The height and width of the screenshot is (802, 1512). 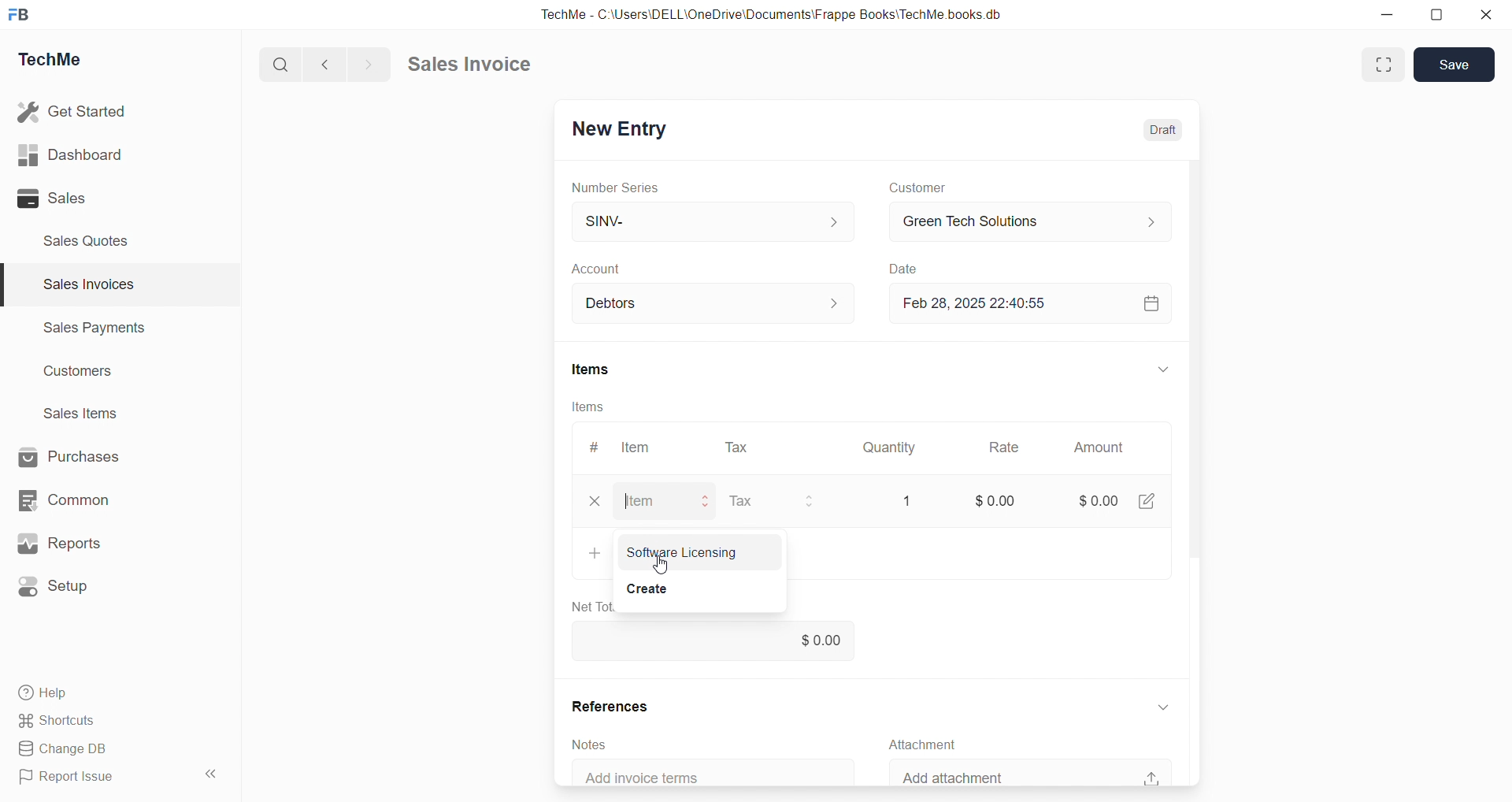 I want to click on $0.00, so click(x=715, y=639).